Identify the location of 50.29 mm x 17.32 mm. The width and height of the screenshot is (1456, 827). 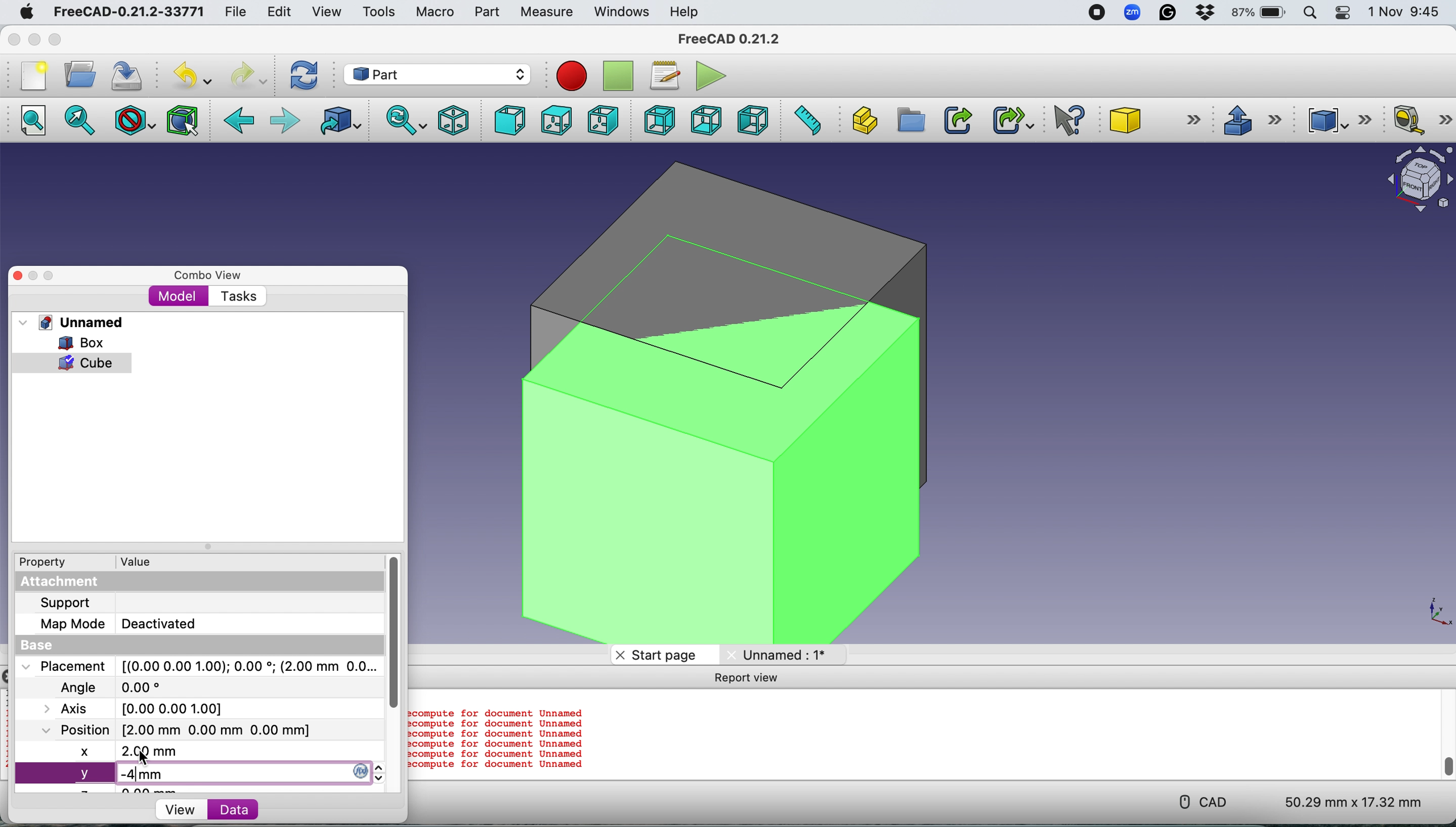
(1343, 800).